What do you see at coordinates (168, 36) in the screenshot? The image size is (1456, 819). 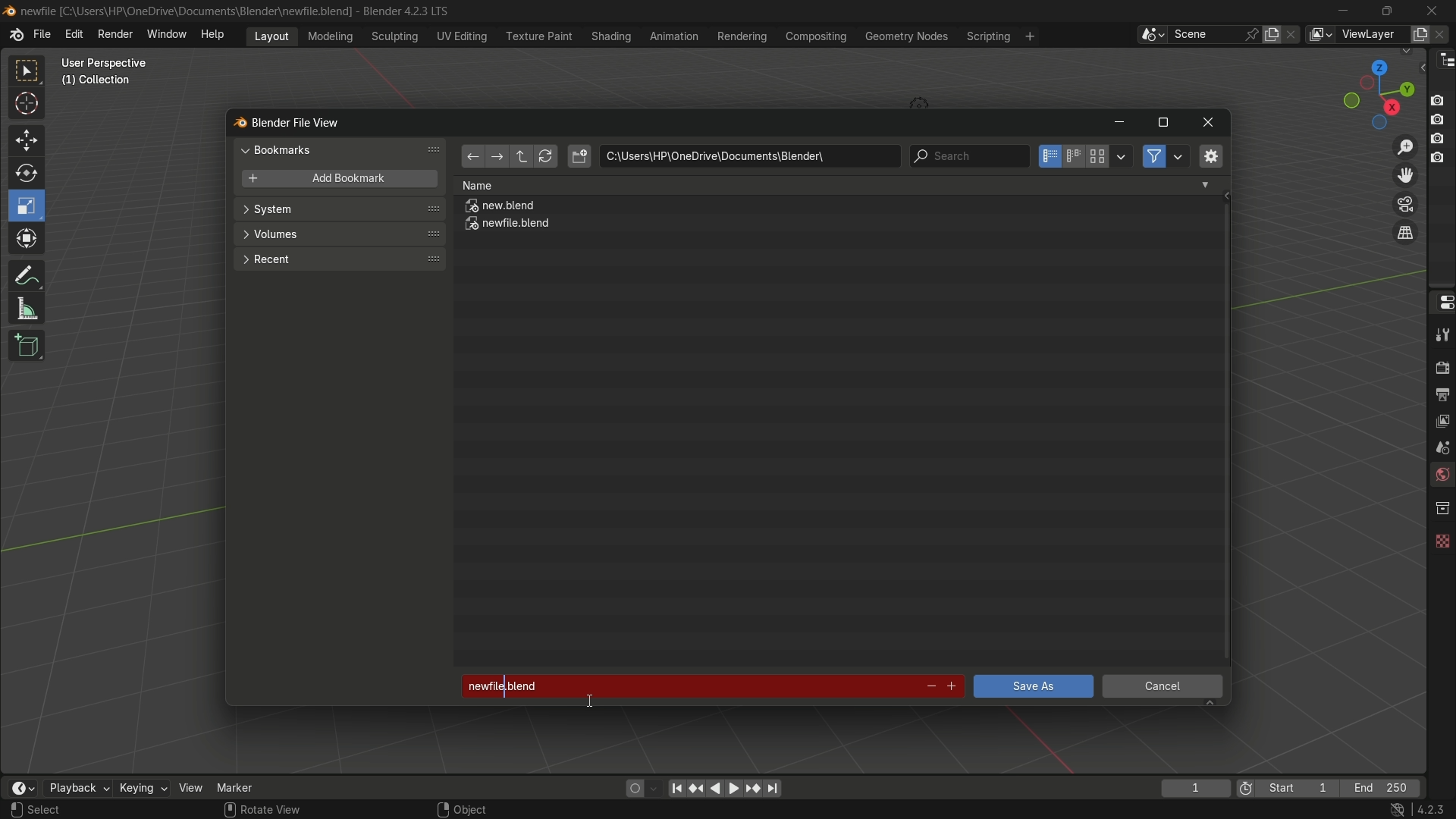 I see `window menu` at bounding box center [168, 36].